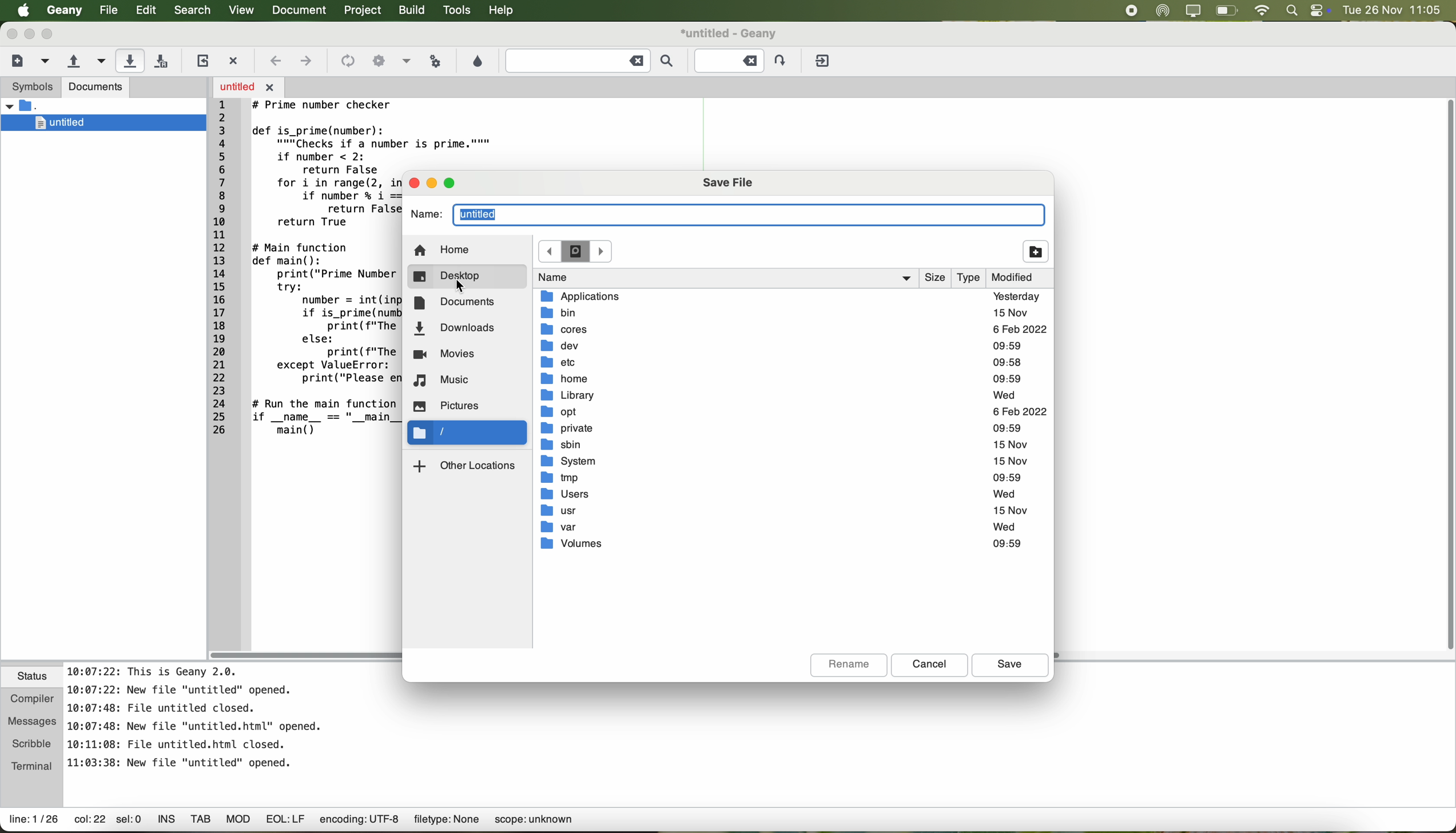  Describe the element at coordinates (377, 59) in the screenshot. I see `icon` at that location.